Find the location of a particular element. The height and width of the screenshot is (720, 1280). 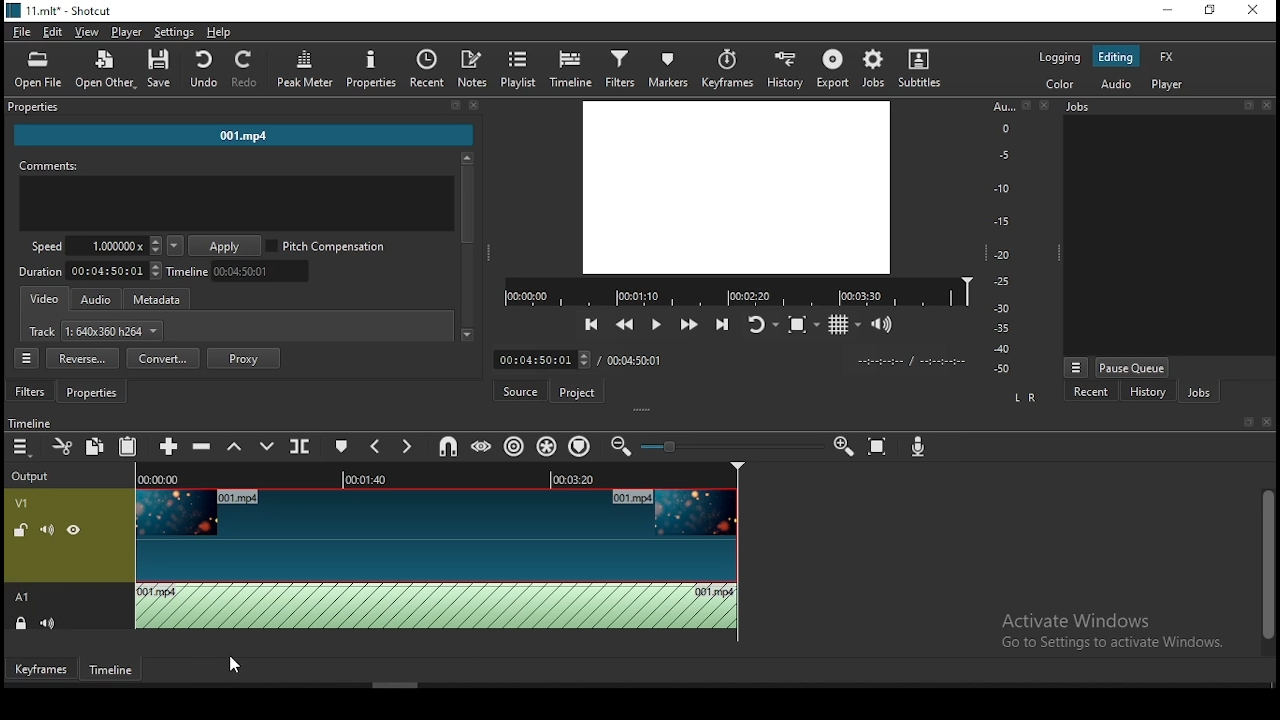

show volume control is located at coordinates (884, 321).